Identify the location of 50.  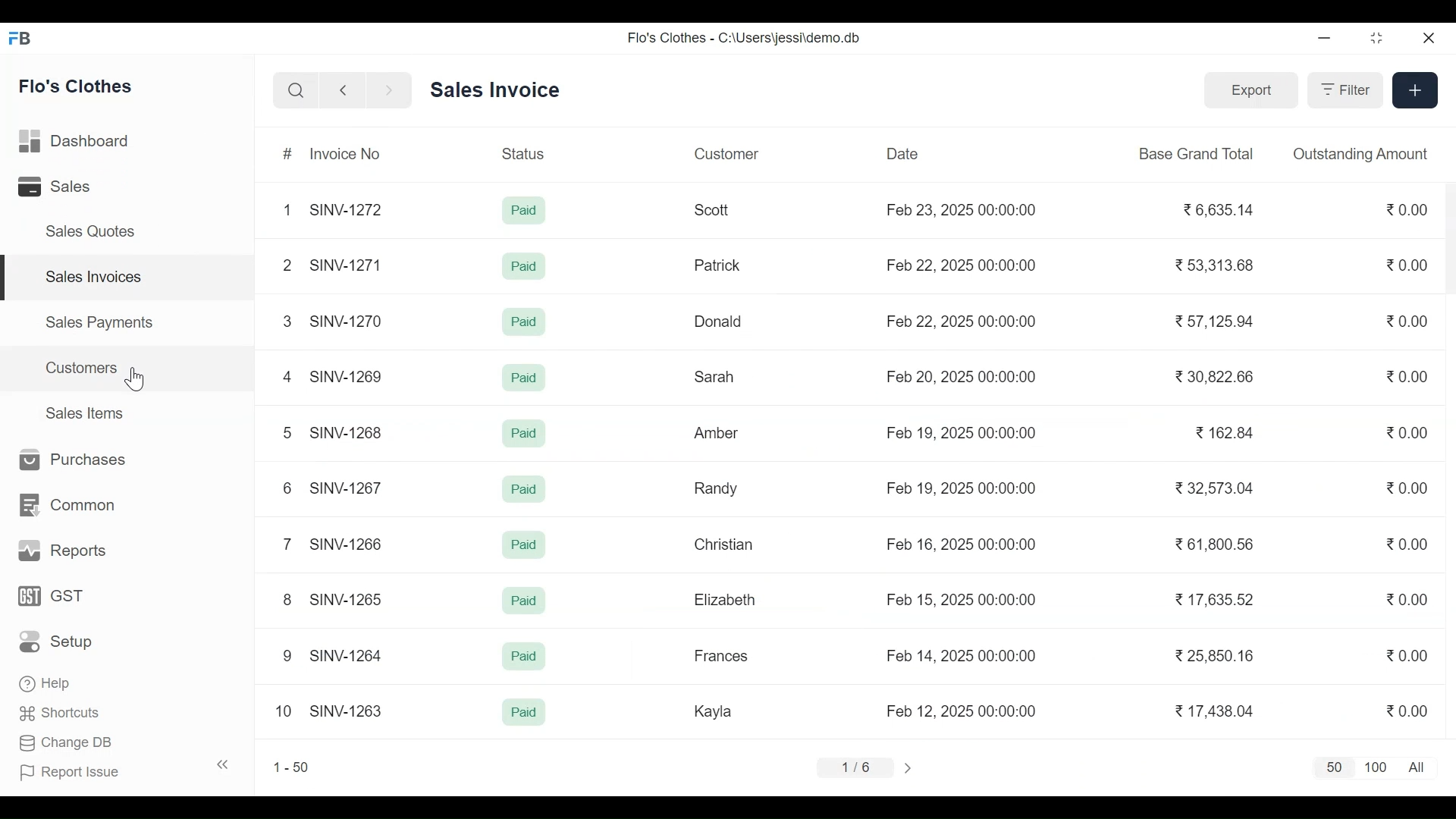
(1334, 767).